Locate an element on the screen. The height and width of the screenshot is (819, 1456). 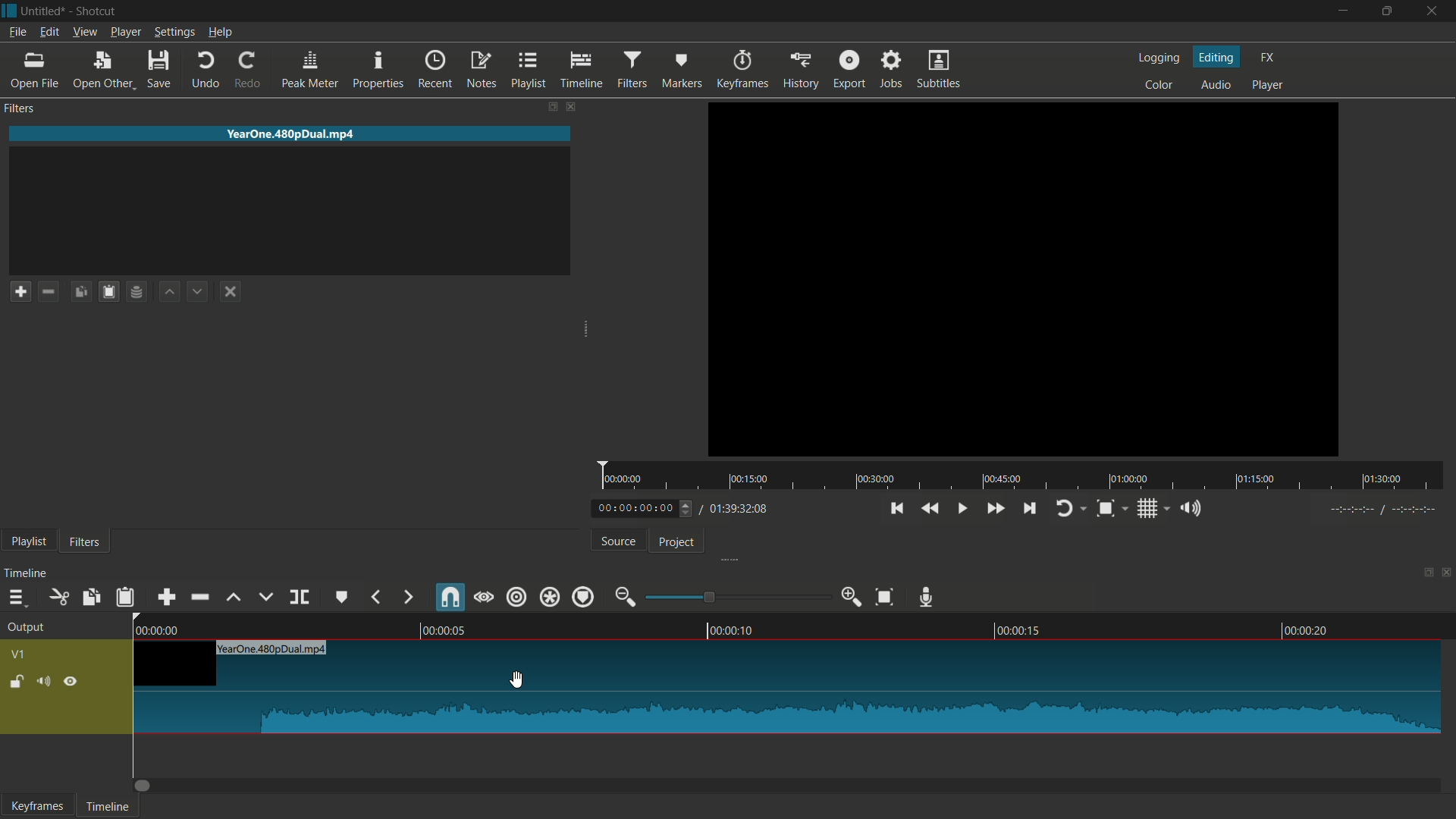
00:00:10 is located at coordinates (734, 630).